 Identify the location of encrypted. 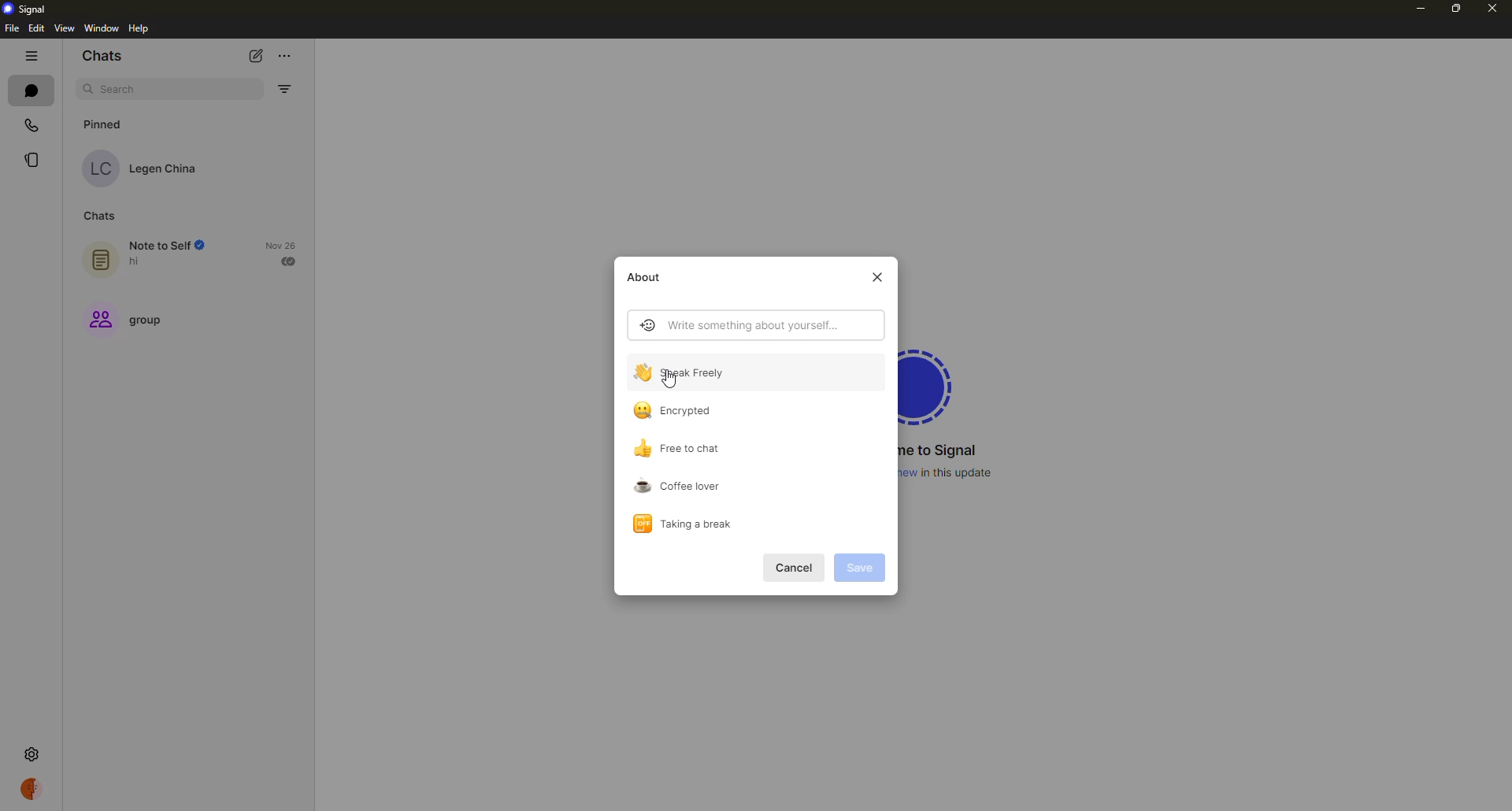
(677, 411).